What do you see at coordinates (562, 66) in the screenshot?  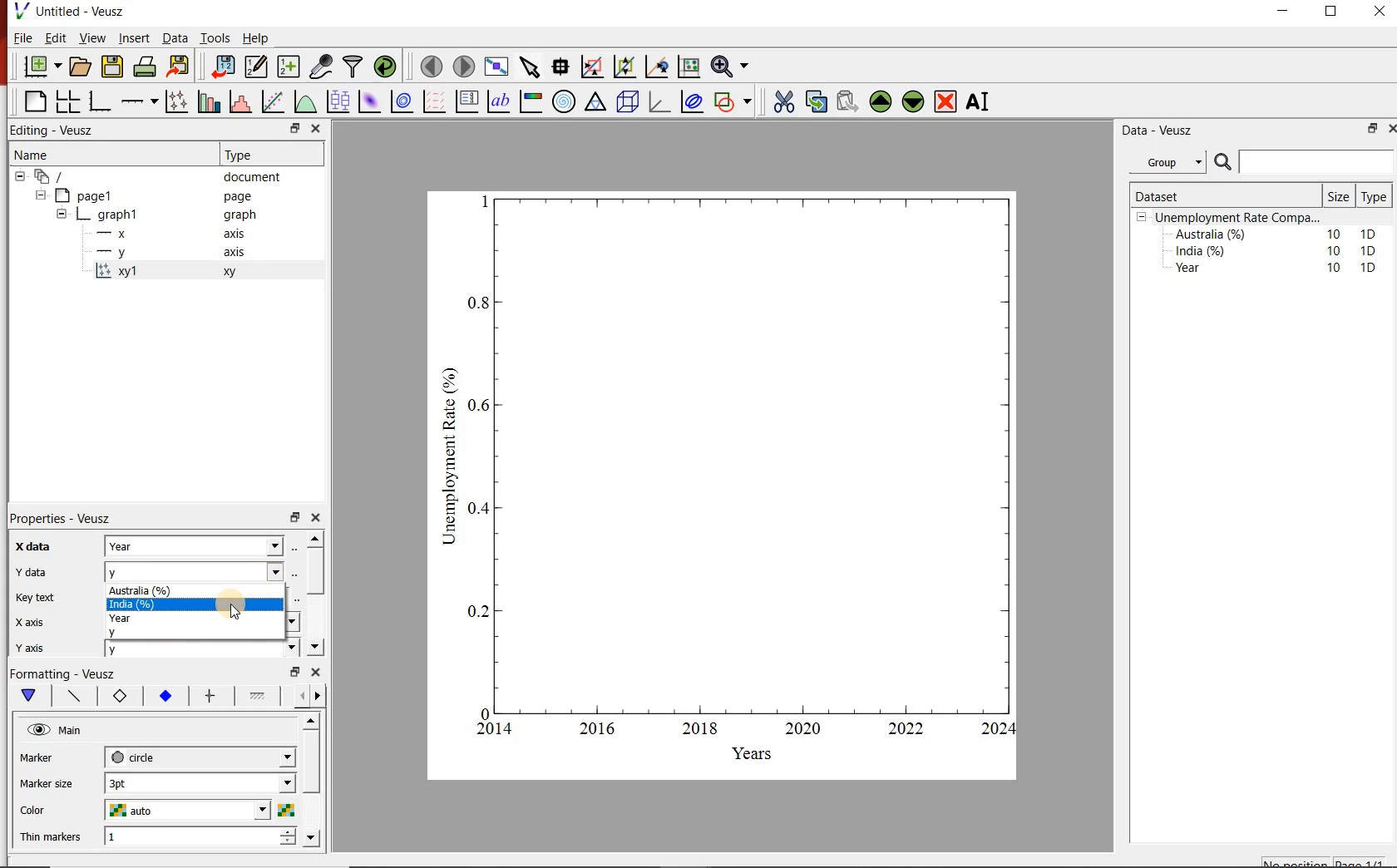 I see `read the data points` at bounding box center [562, 66].